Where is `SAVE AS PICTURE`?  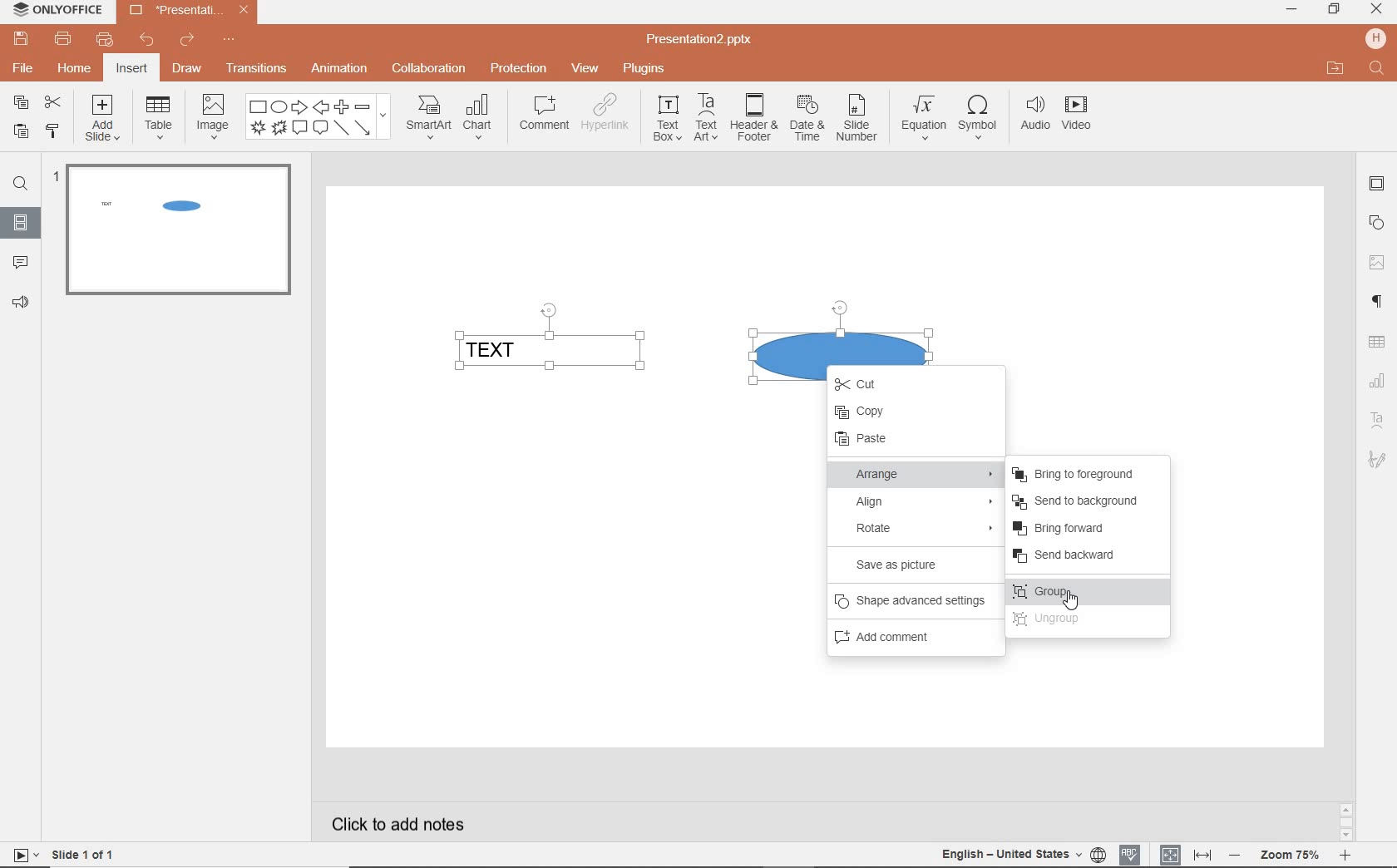 SAVE AS PICTURE is located at coordinates (915, 565).